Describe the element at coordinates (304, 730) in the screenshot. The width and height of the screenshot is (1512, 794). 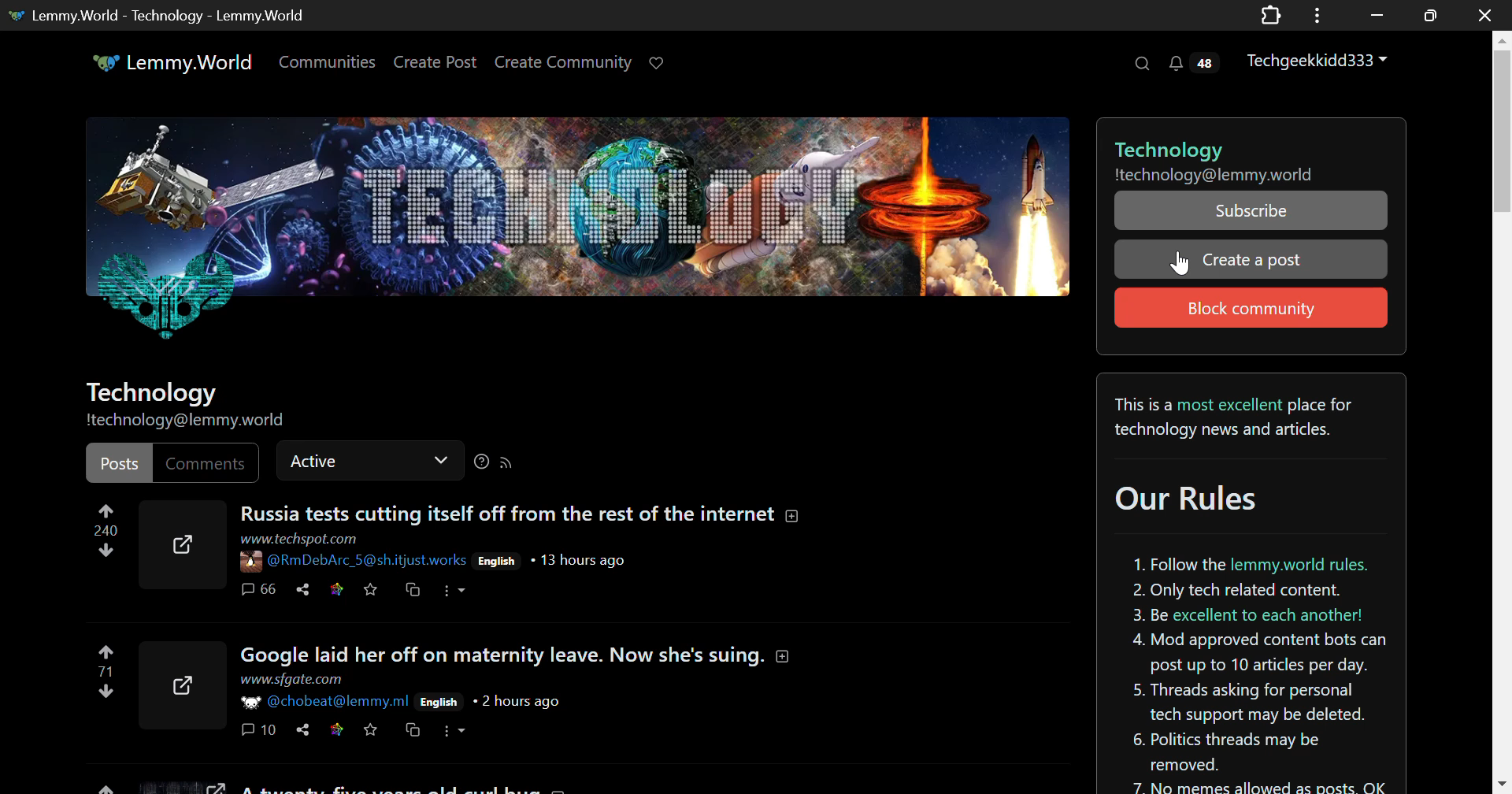
I see `Share` at that location.